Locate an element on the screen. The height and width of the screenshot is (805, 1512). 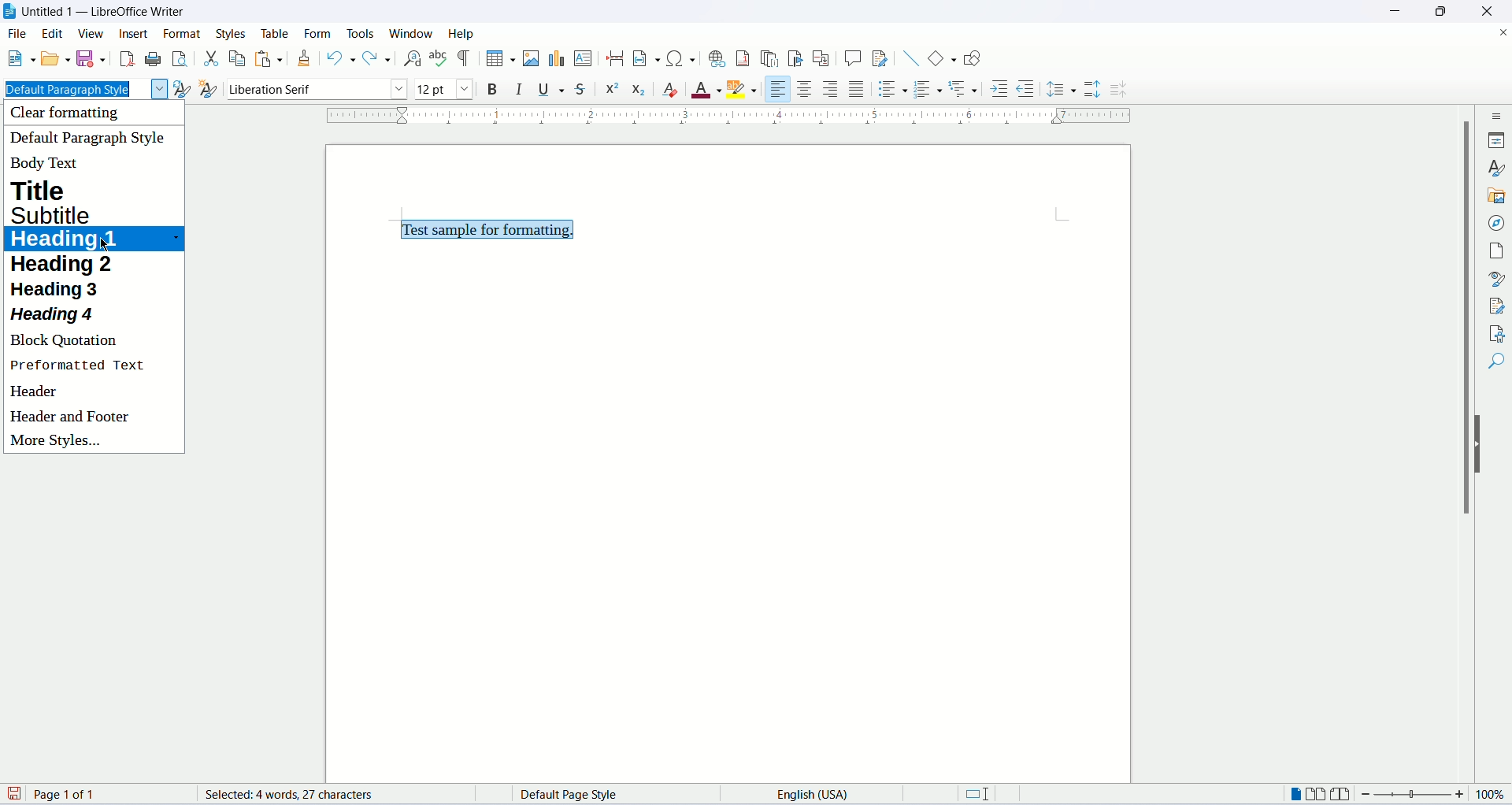
gallery is located at coordinates (1498, 198).